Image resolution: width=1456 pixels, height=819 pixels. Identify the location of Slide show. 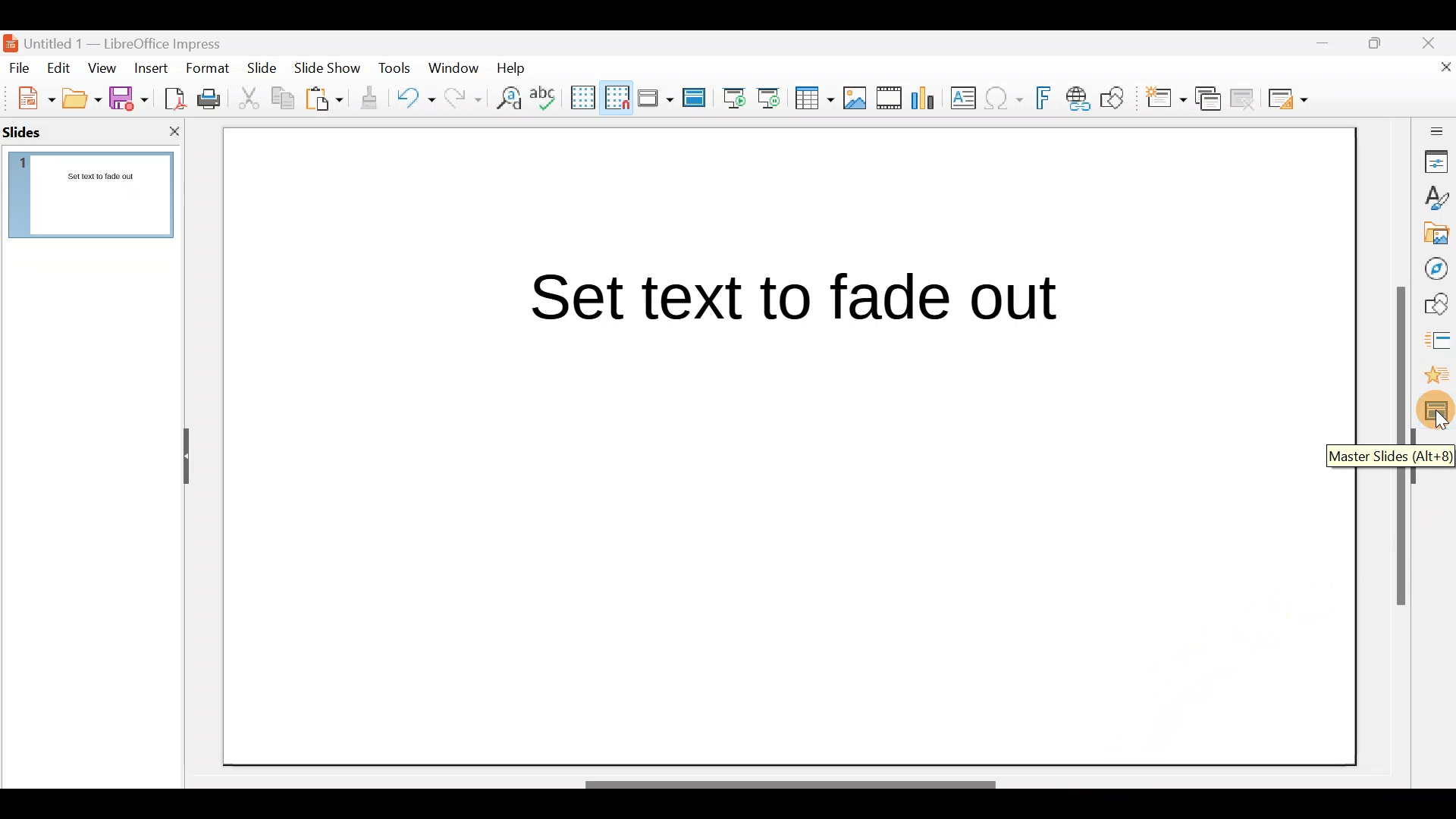
(331, 71).